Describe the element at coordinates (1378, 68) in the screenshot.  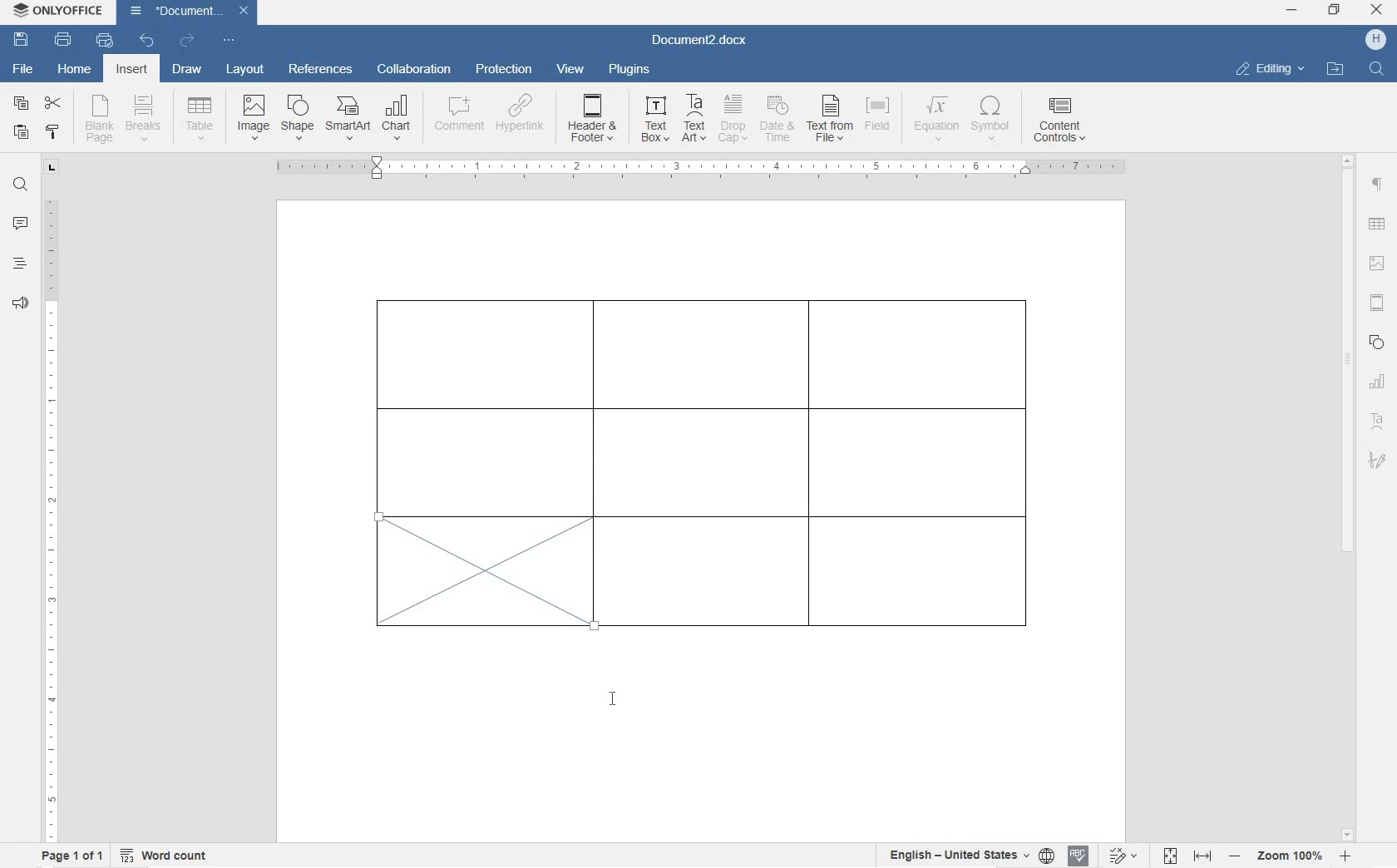
I see `FIND` at that location.